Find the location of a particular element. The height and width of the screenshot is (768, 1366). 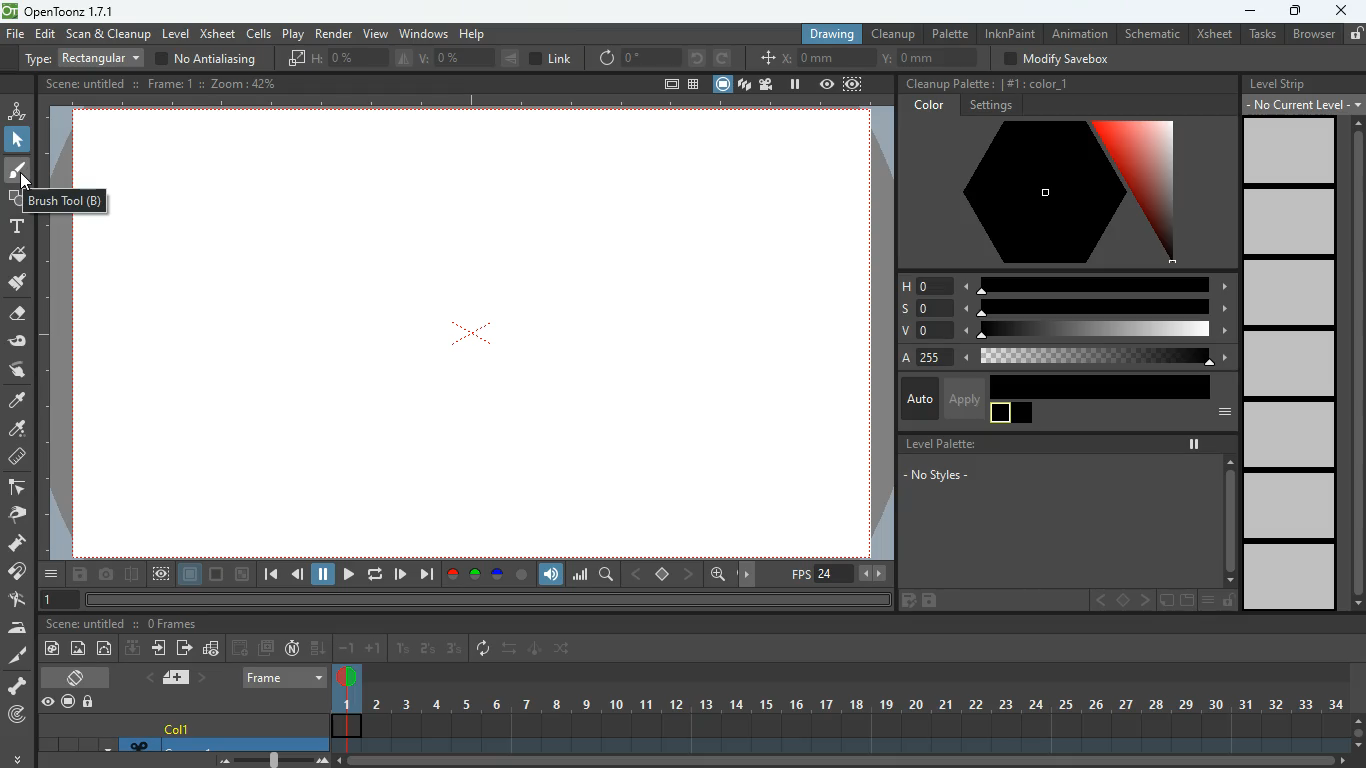

apply is located at coordinates (963, 398).